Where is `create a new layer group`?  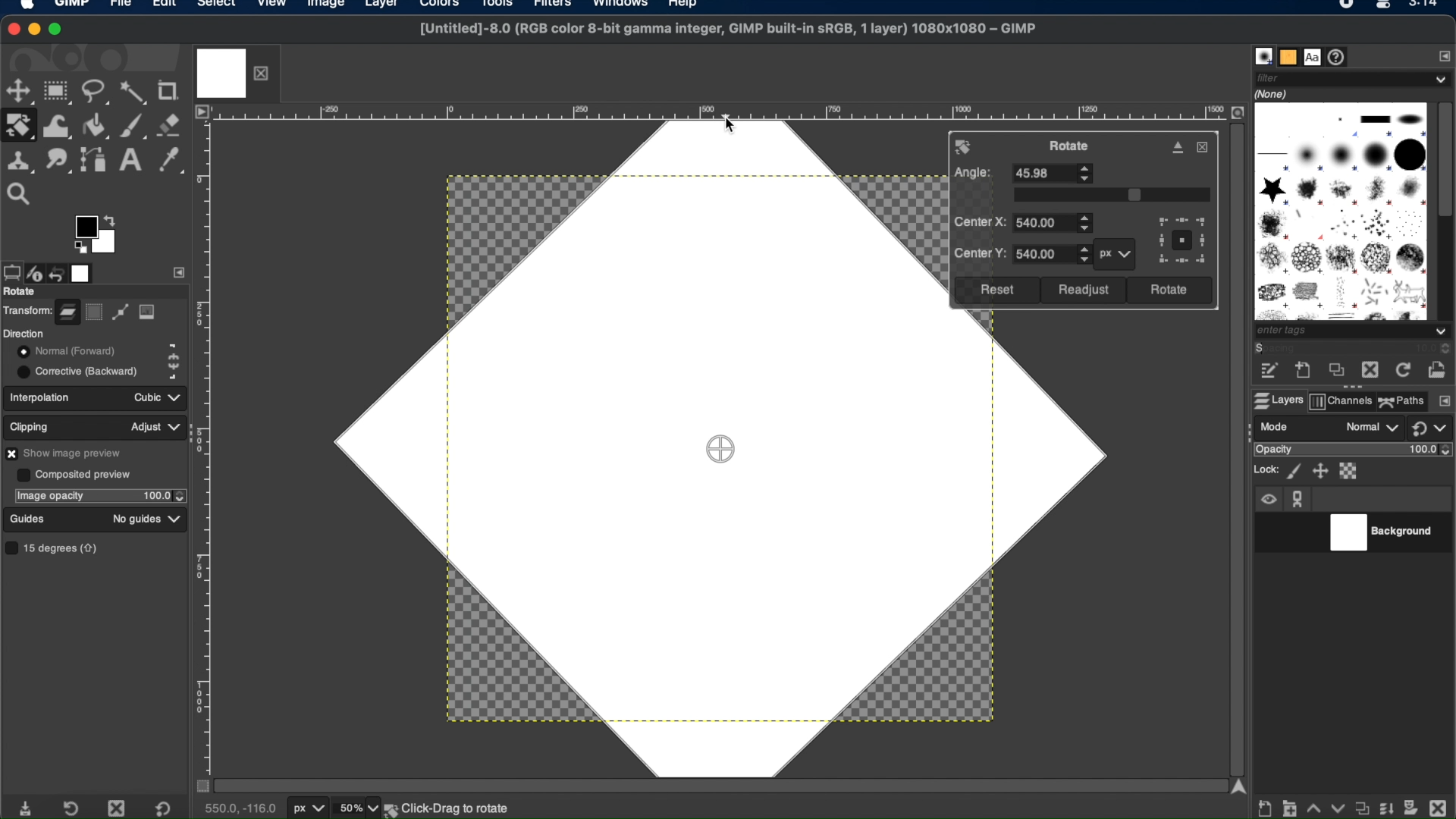
create a new layer group is located at coordinates (1290, 807).